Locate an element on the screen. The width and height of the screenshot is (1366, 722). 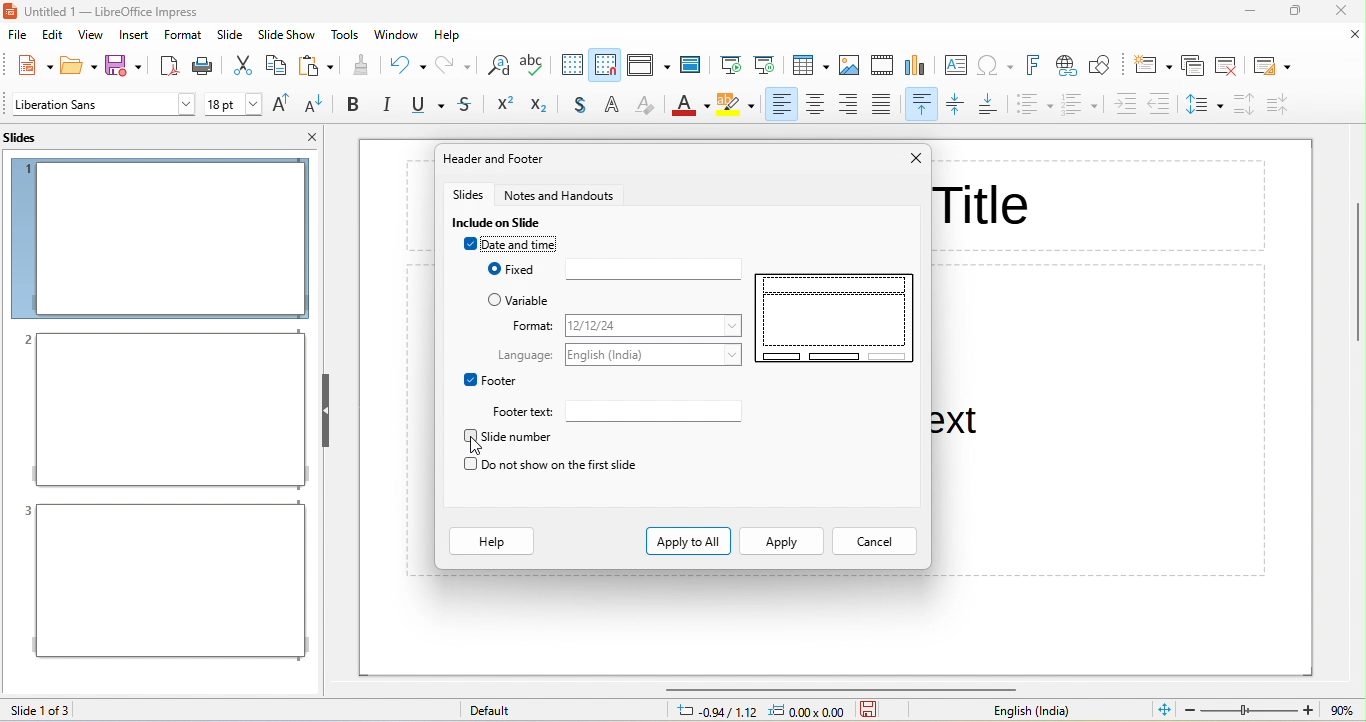
Checkbox is located at coordinates (469, 379).